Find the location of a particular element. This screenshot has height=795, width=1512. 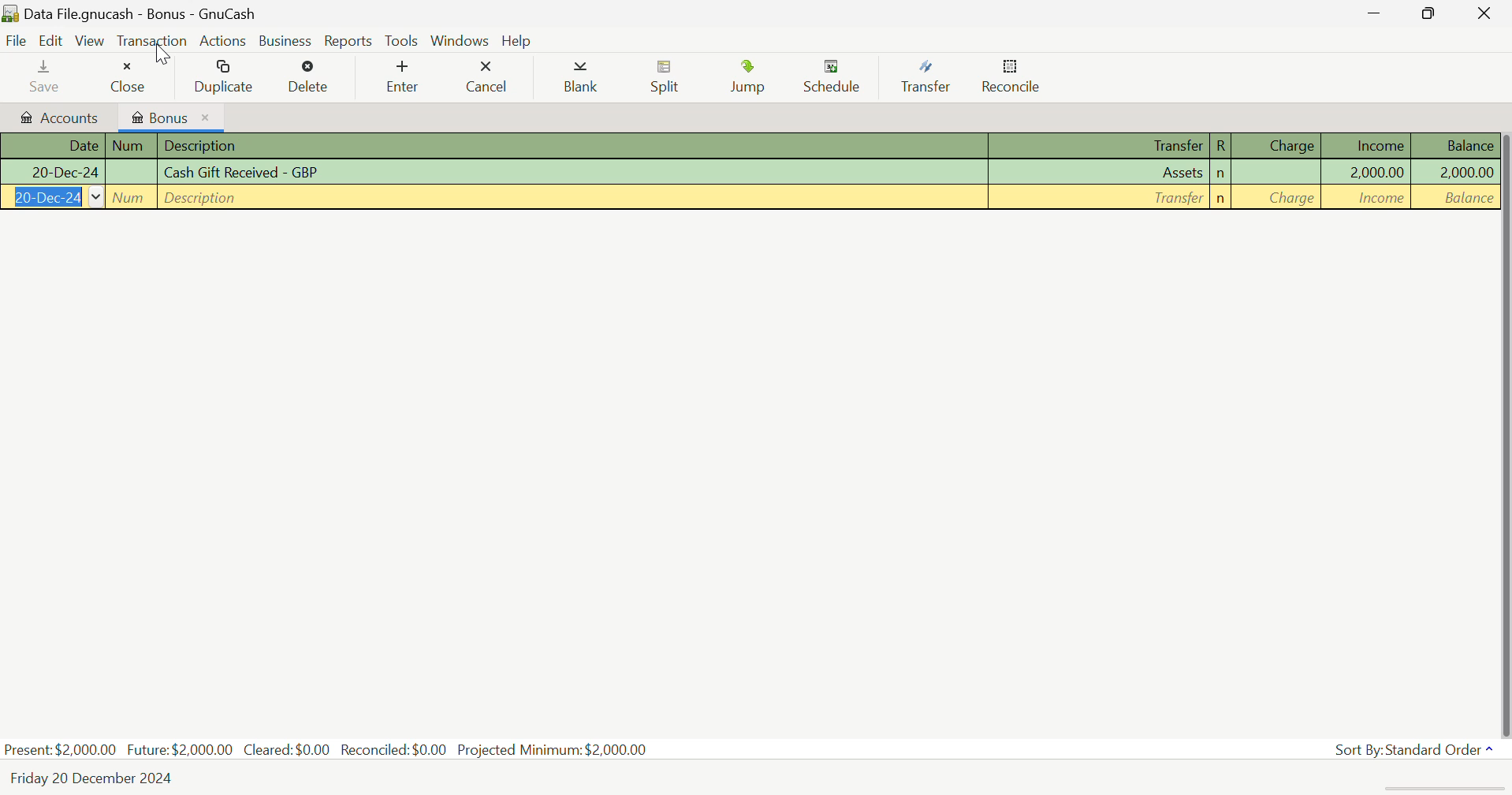

Date is located at coordinates (53, 198).